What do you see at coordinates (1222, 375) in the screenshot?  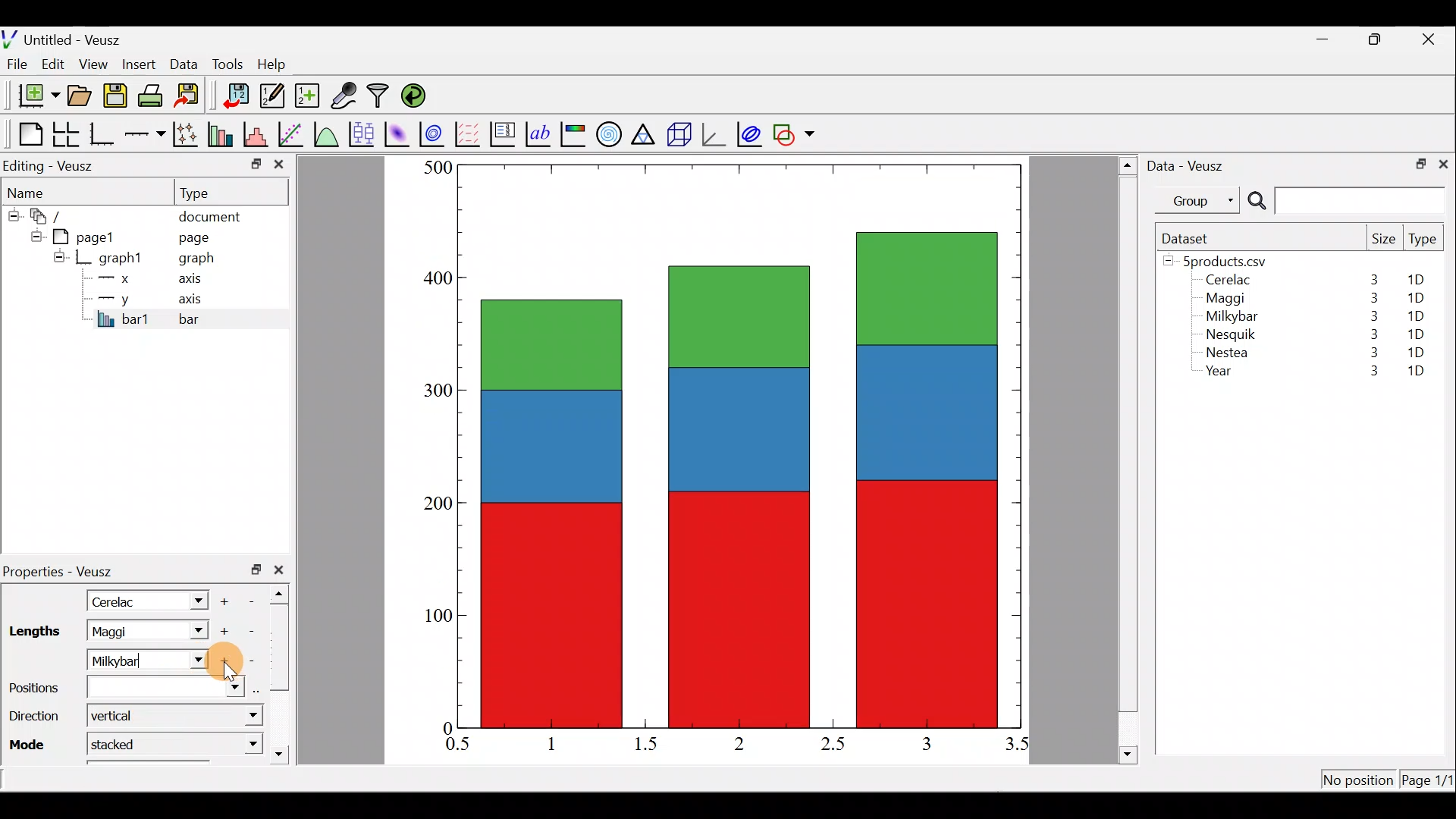 I see `Year` at bounding box center [1222, 375].